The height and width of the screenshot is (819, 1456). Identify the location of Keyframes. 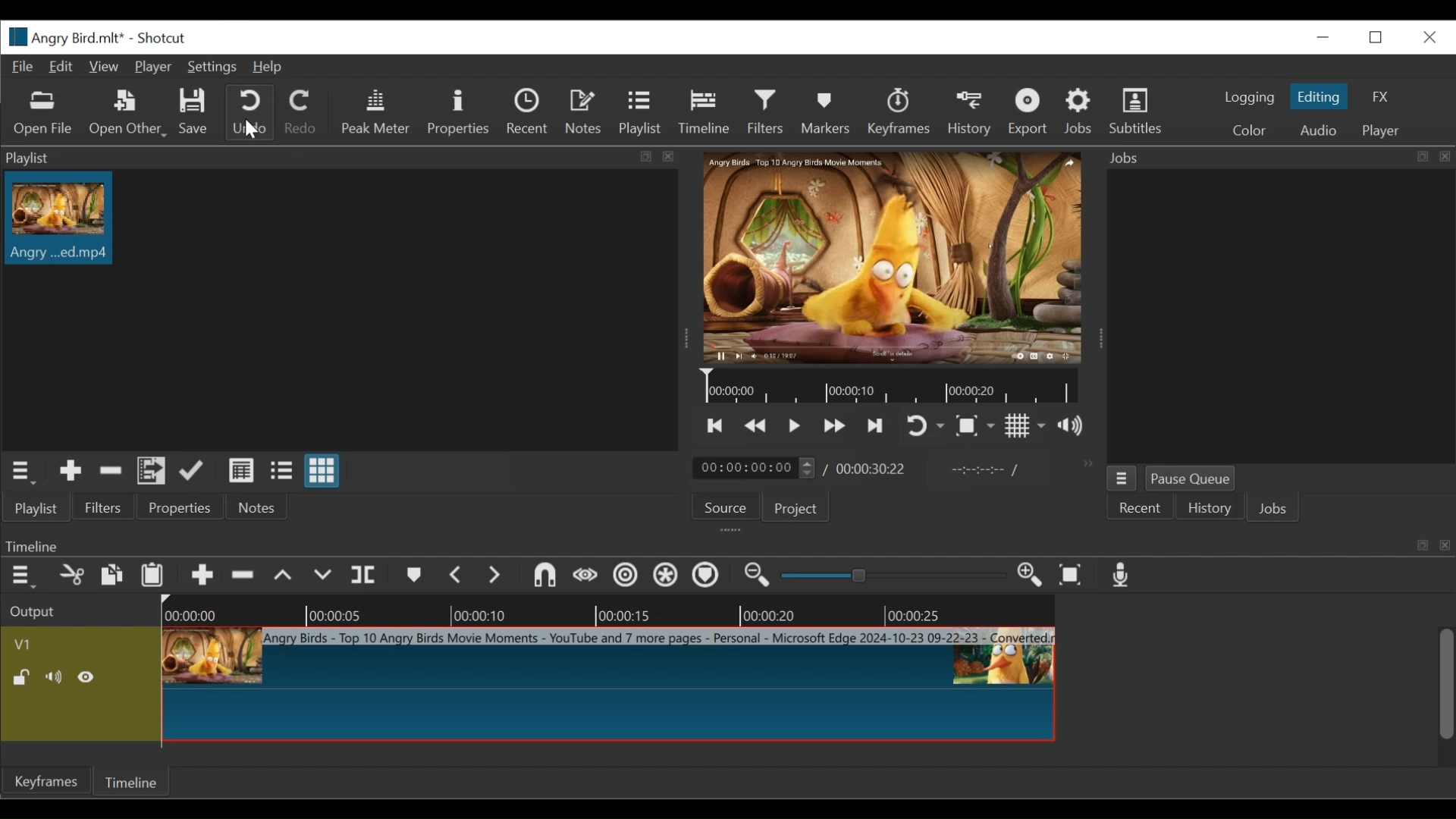
(899, 111).